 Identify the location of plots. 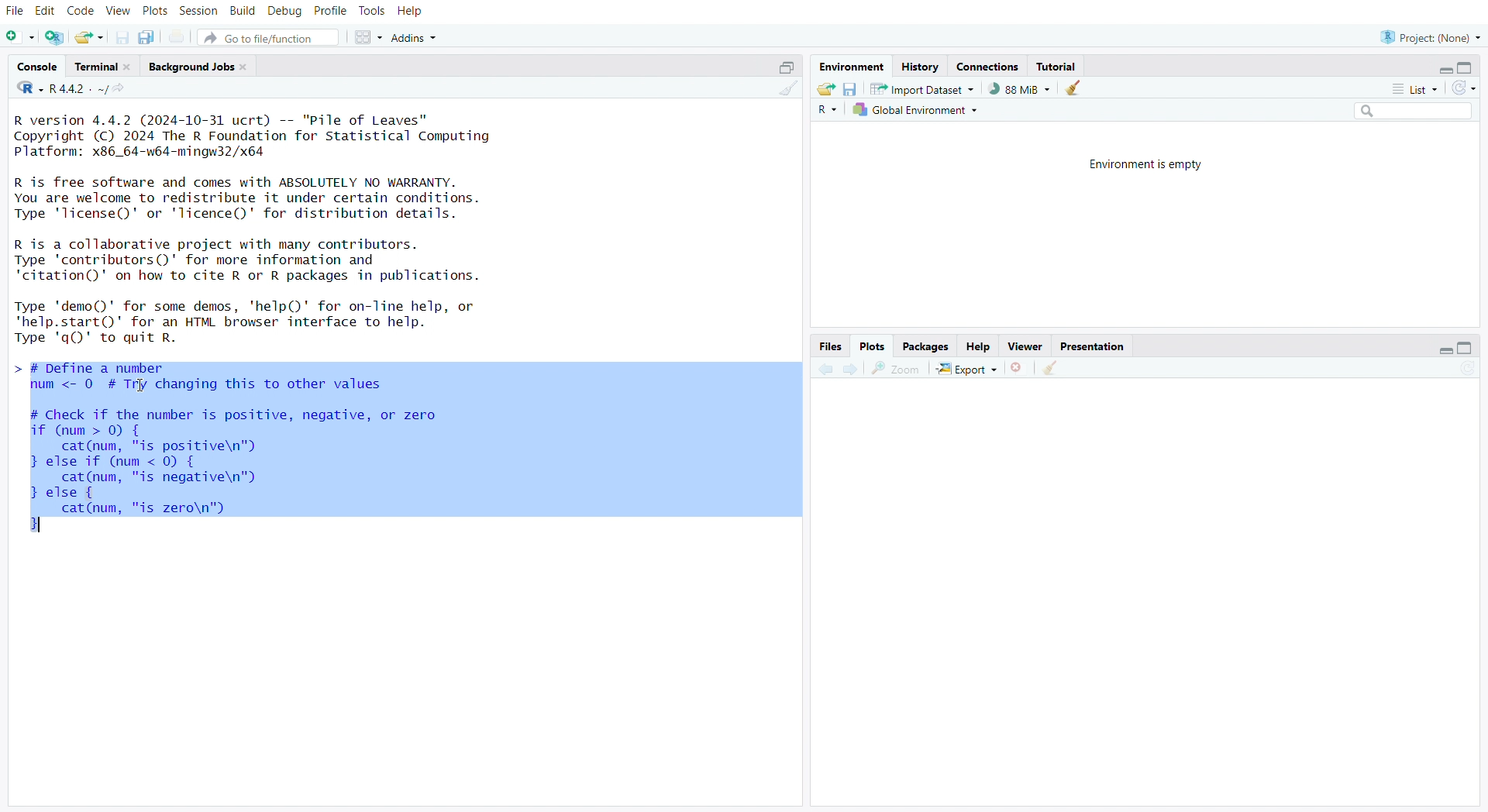
(155, 11).